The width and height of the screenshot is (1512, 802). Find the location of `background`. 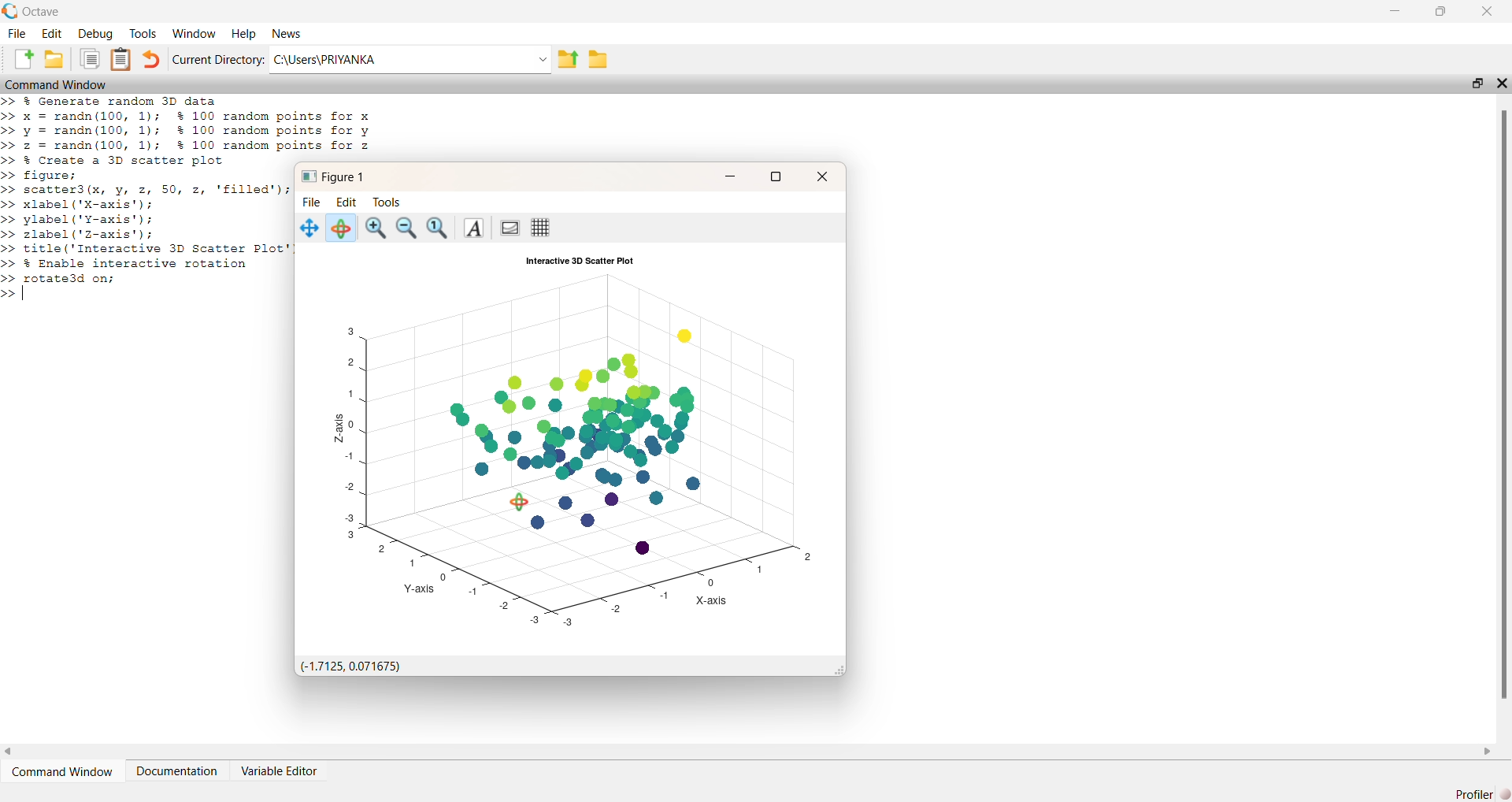

background is located at coordinates (508, 228).